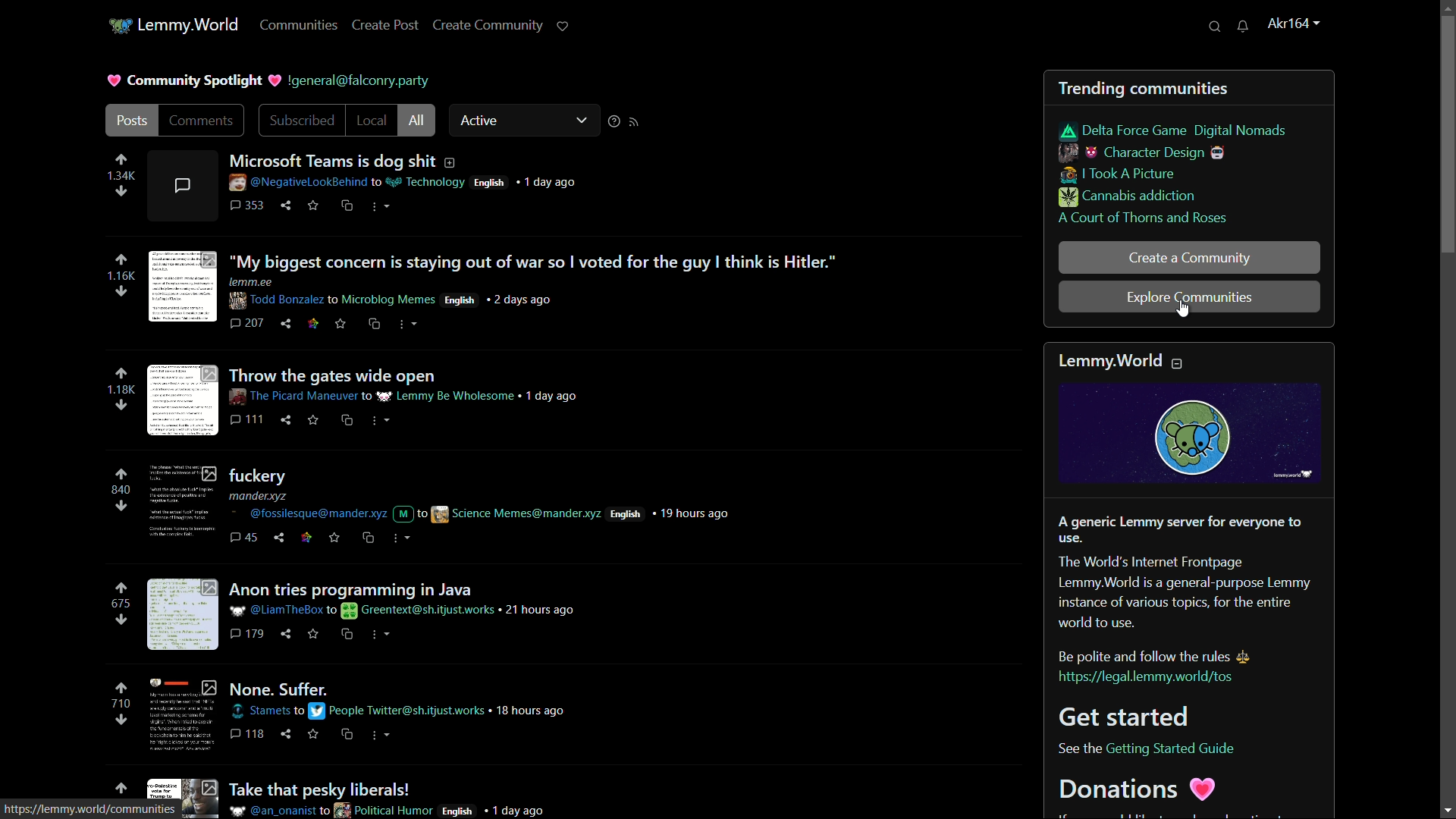  I want to click on more, so click(382, 206).